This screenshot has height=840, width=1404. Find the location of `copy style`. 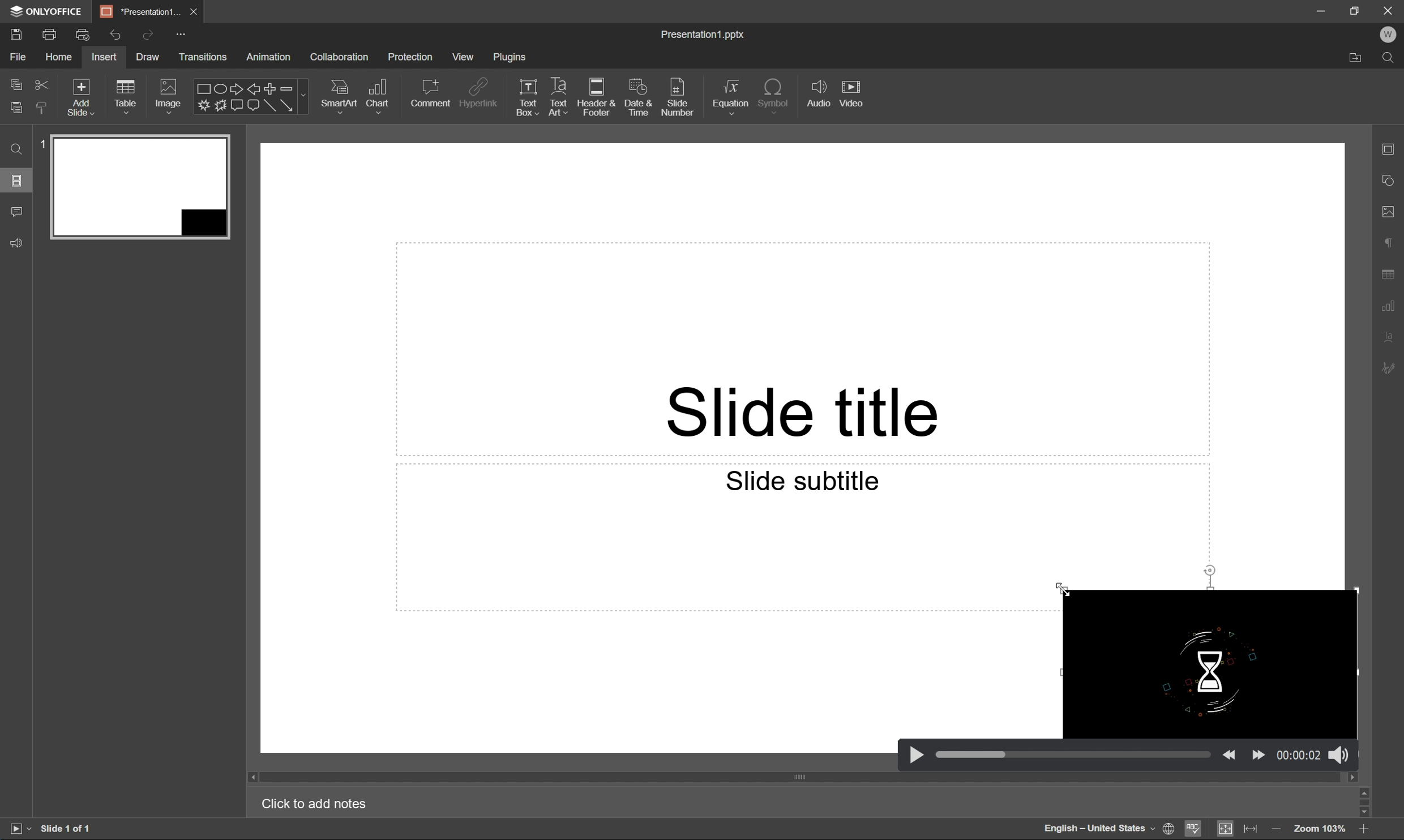

copy style is located at coordinates (40, 108).